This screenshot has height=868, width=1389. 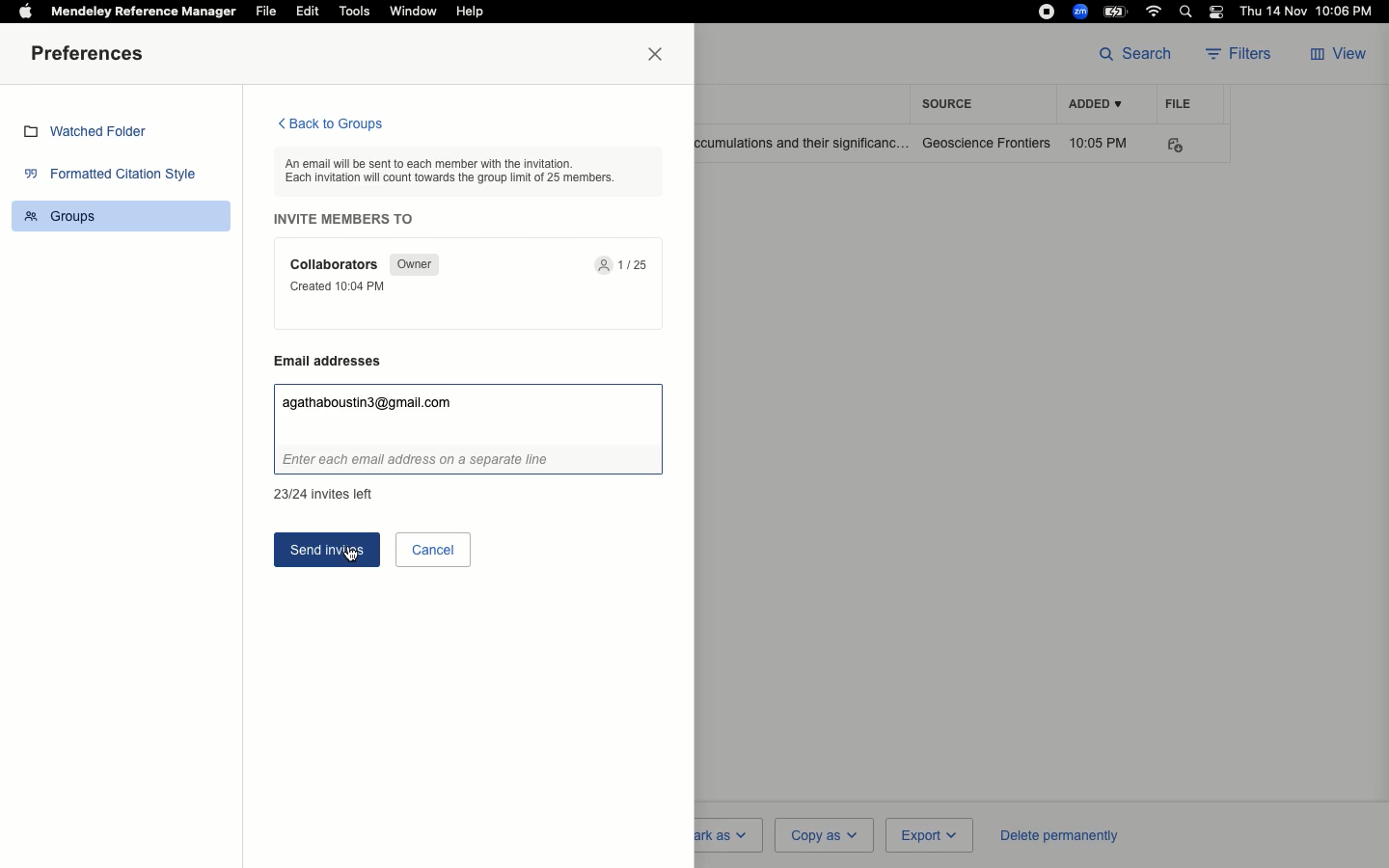 I want to click on members, so click(x=626, y=266).